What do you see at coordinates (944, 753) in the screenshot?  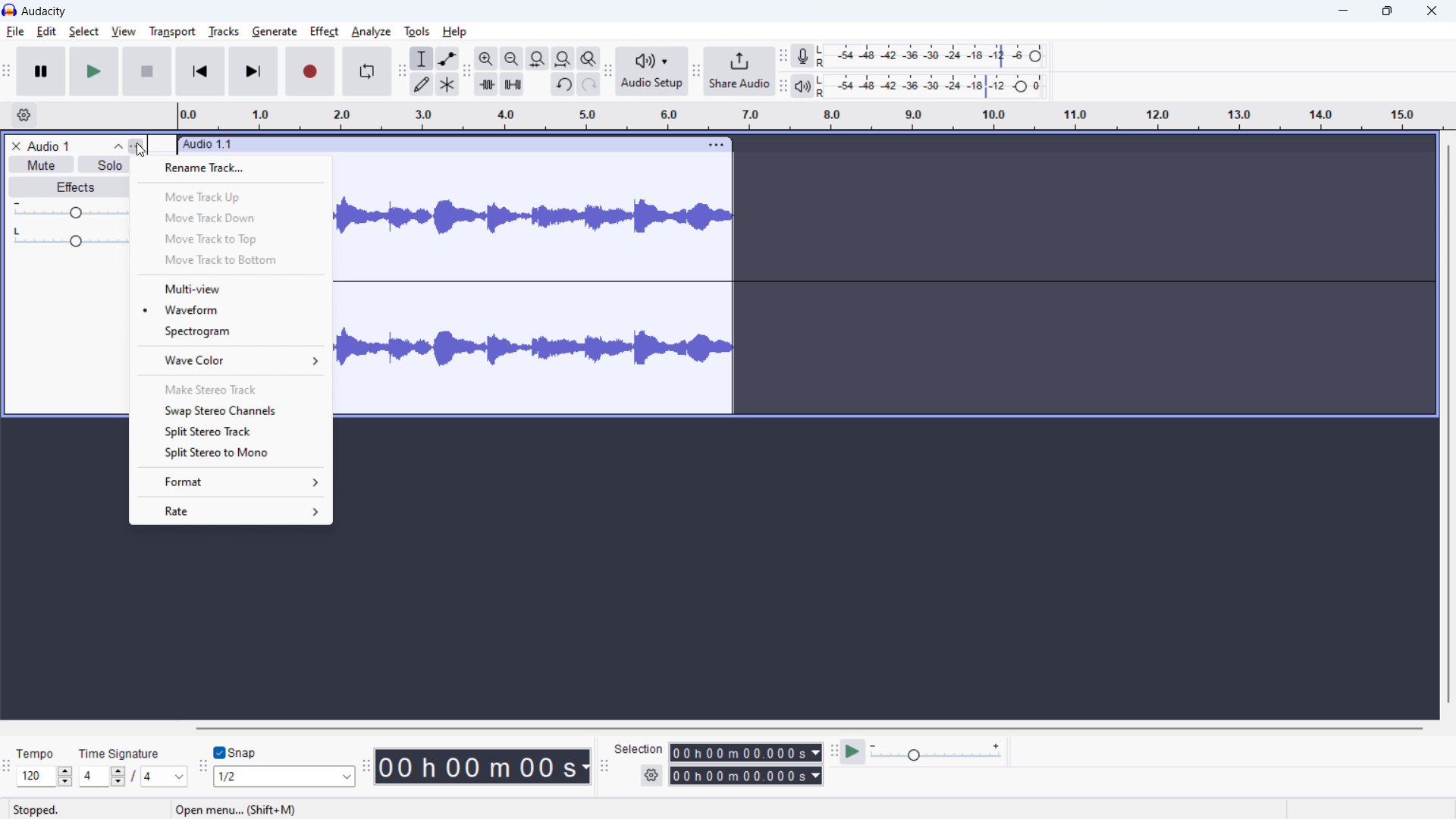 I see `playback speed` at bounding box center [944, 753].